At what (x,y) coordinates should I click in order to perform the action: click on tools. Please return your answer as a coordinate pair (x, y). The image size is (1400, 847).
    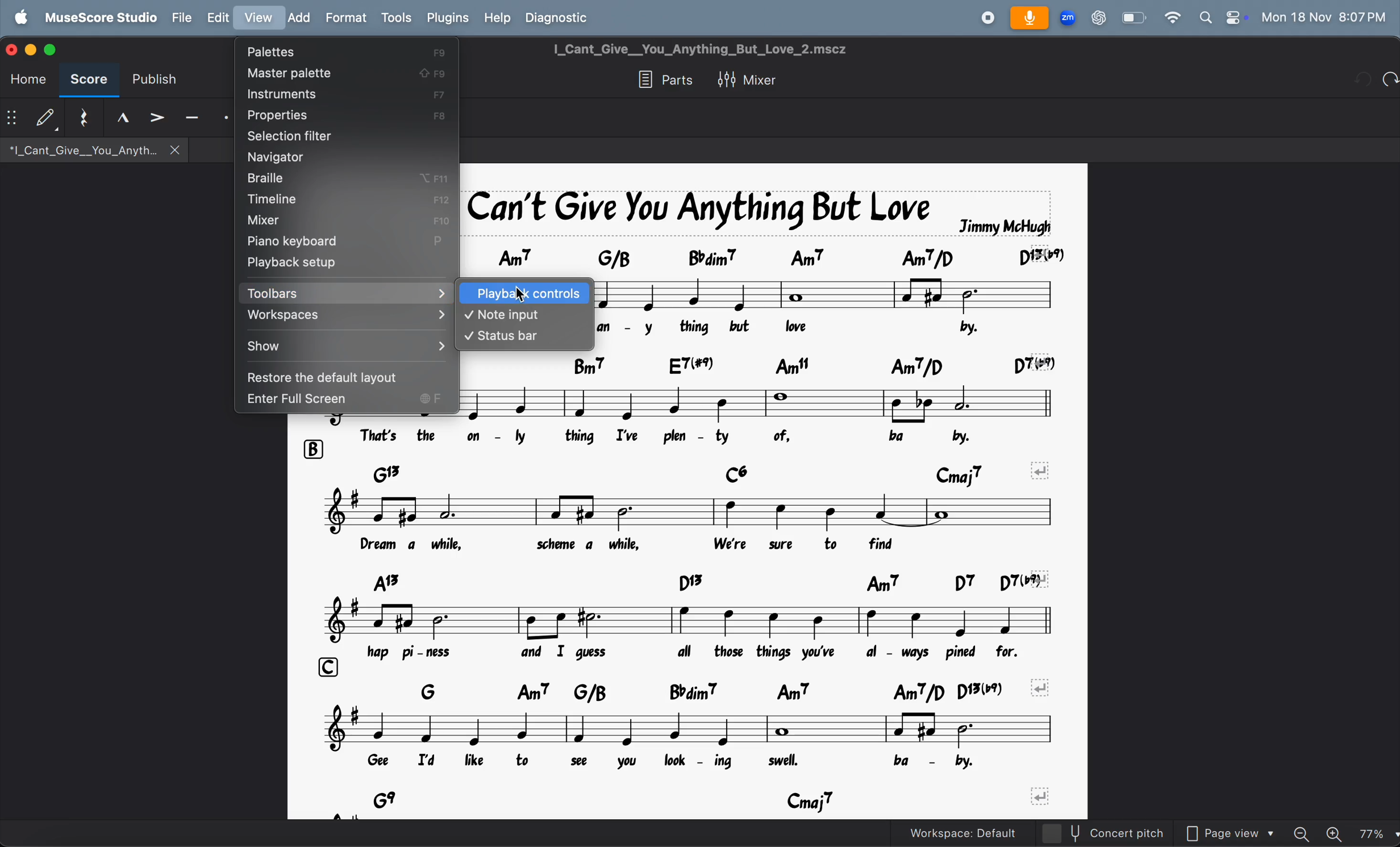
    Looking at the image, I should click on (397, 18).